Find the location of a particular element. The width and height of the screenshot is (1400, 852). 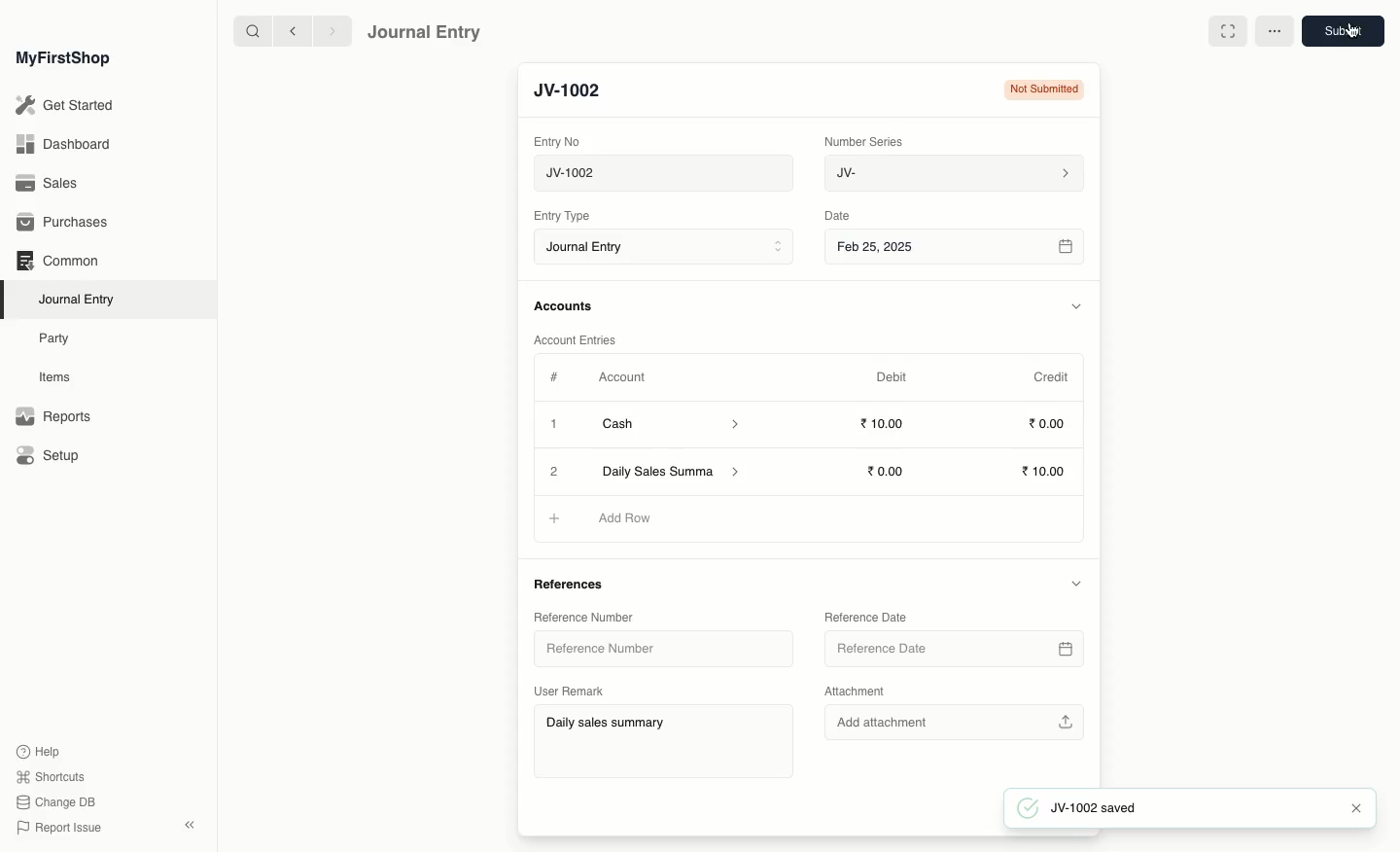

Options is located at coordinates (1275, 31).